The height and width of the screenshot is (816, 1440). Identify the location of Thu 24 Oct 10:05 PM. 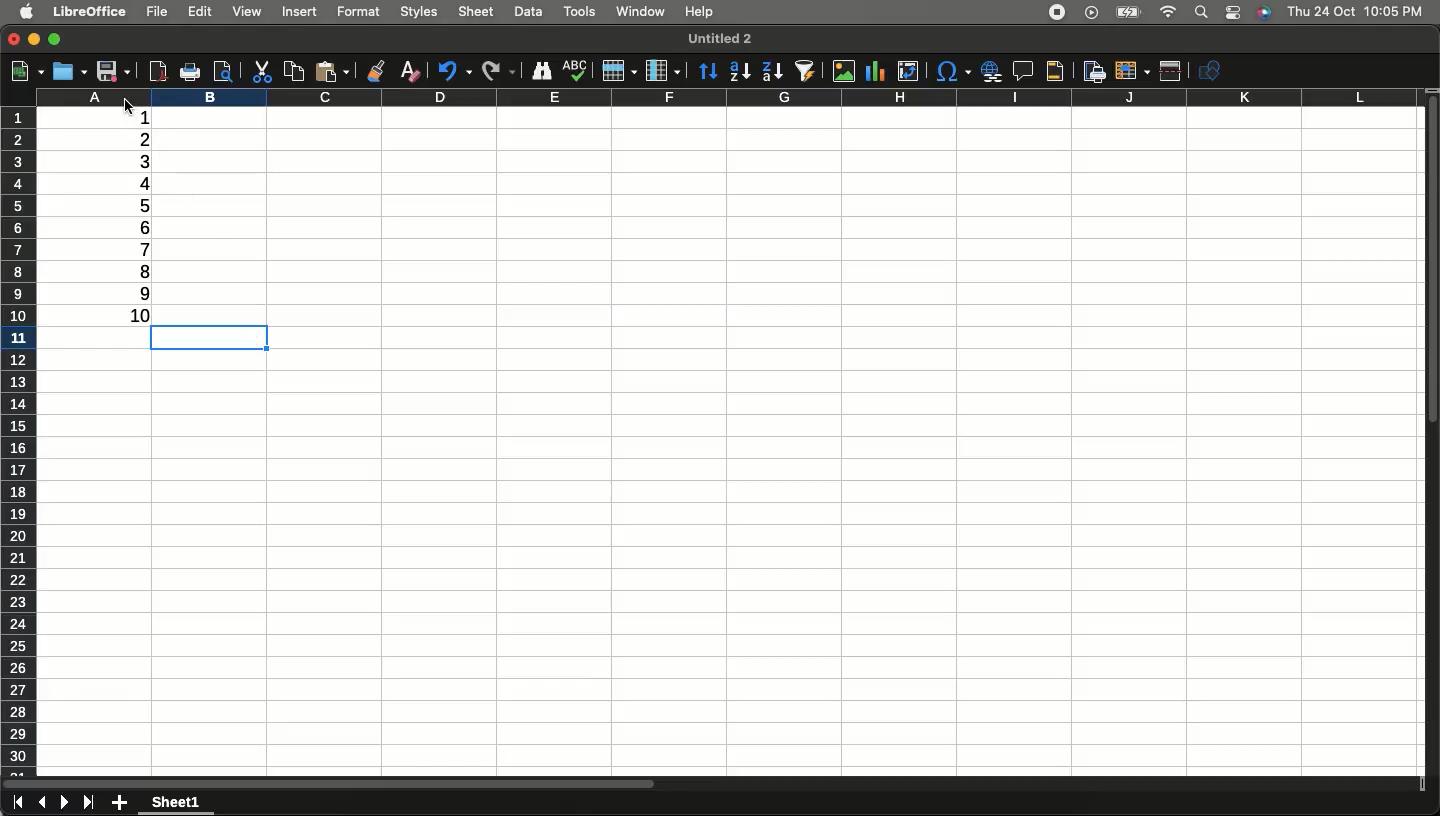
(1357, 11).